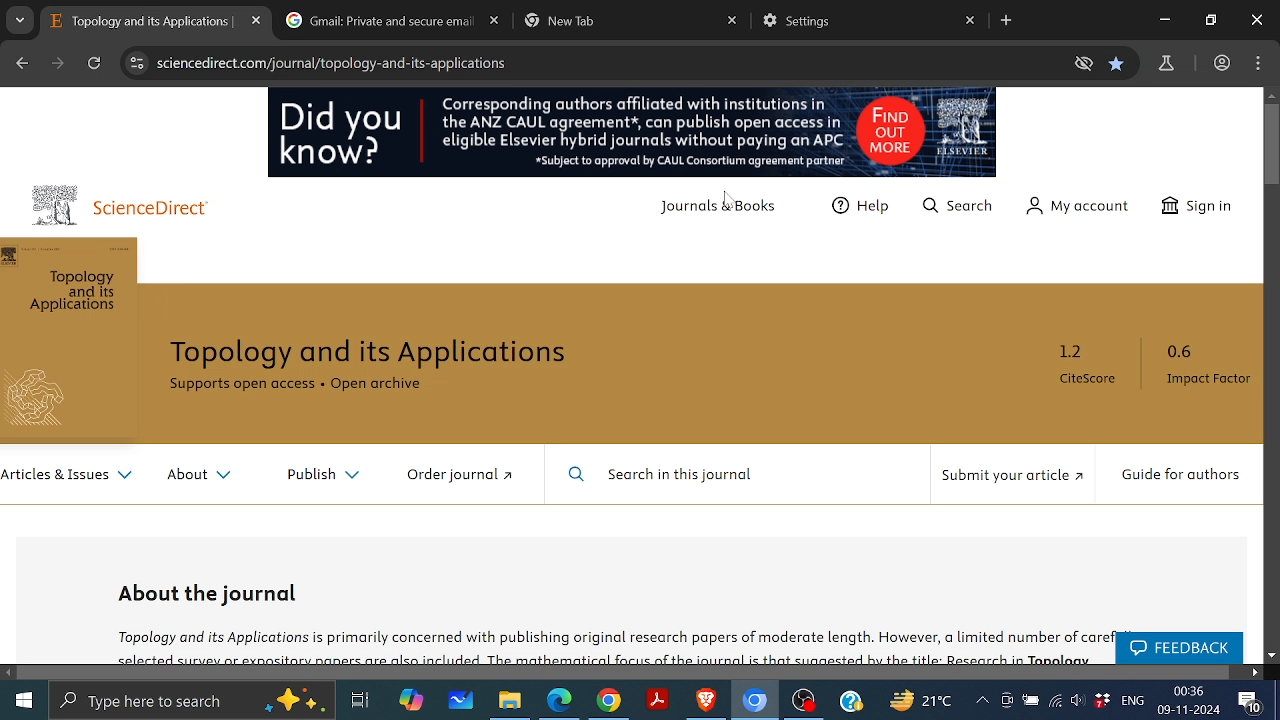 This screenshot has height=720, width=1280. What do you see at coordinates (1219, 63) in the screenshot?
I see `Work` at bounding box center [1219, 63].